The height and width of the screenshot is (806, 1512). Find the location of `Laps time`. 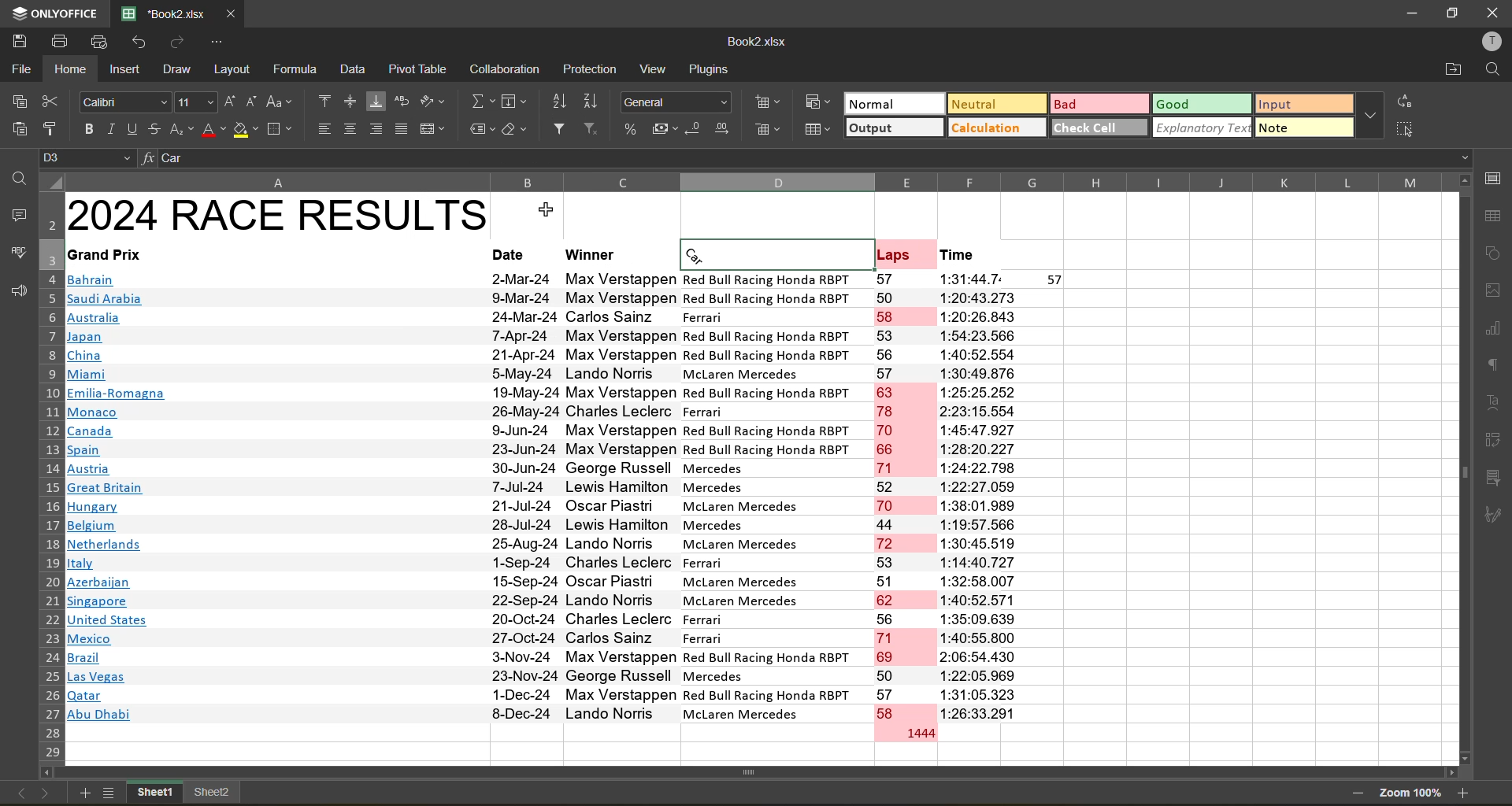

Laps time is located at coordinates (1005, 497).